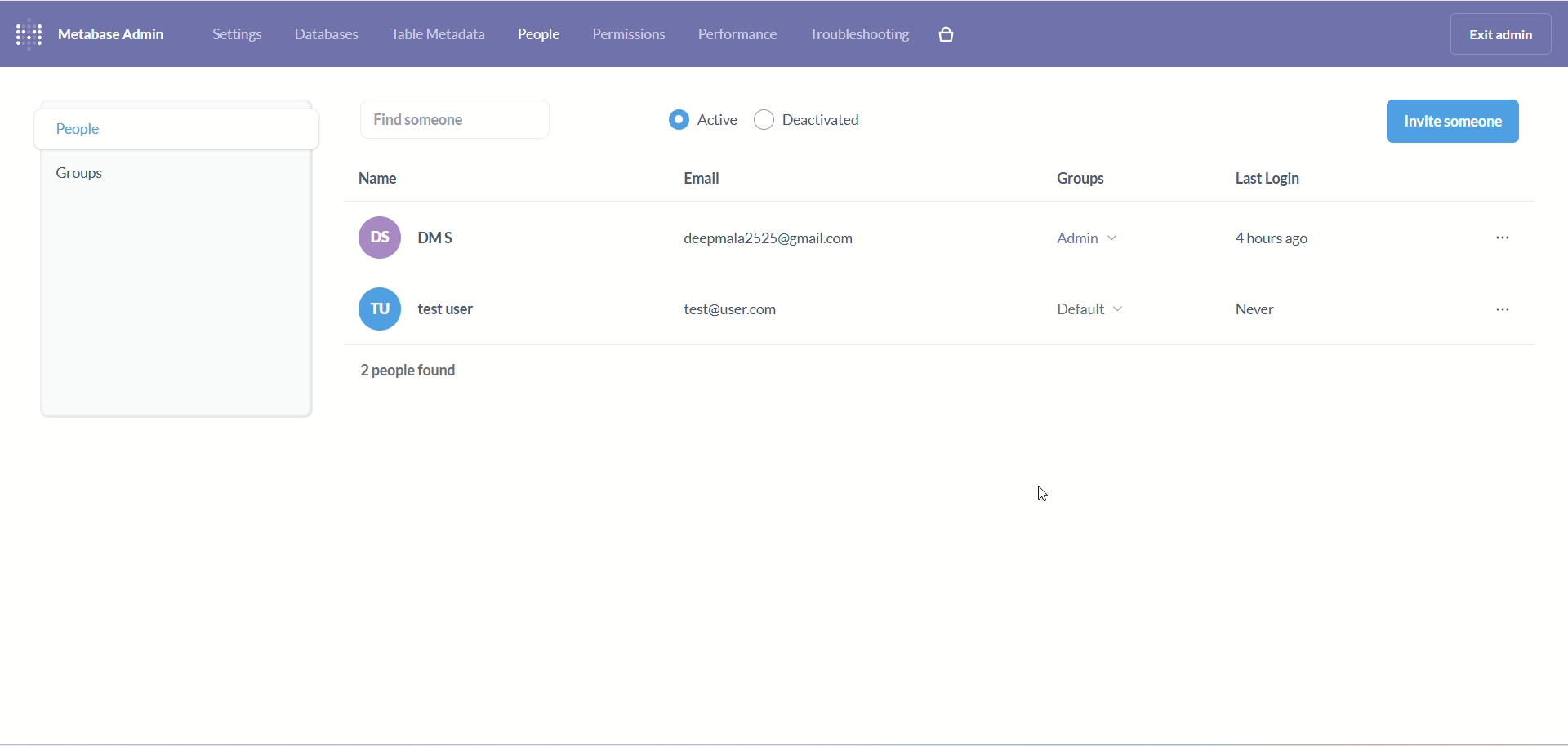  I want to click on active, so click(703, 123).